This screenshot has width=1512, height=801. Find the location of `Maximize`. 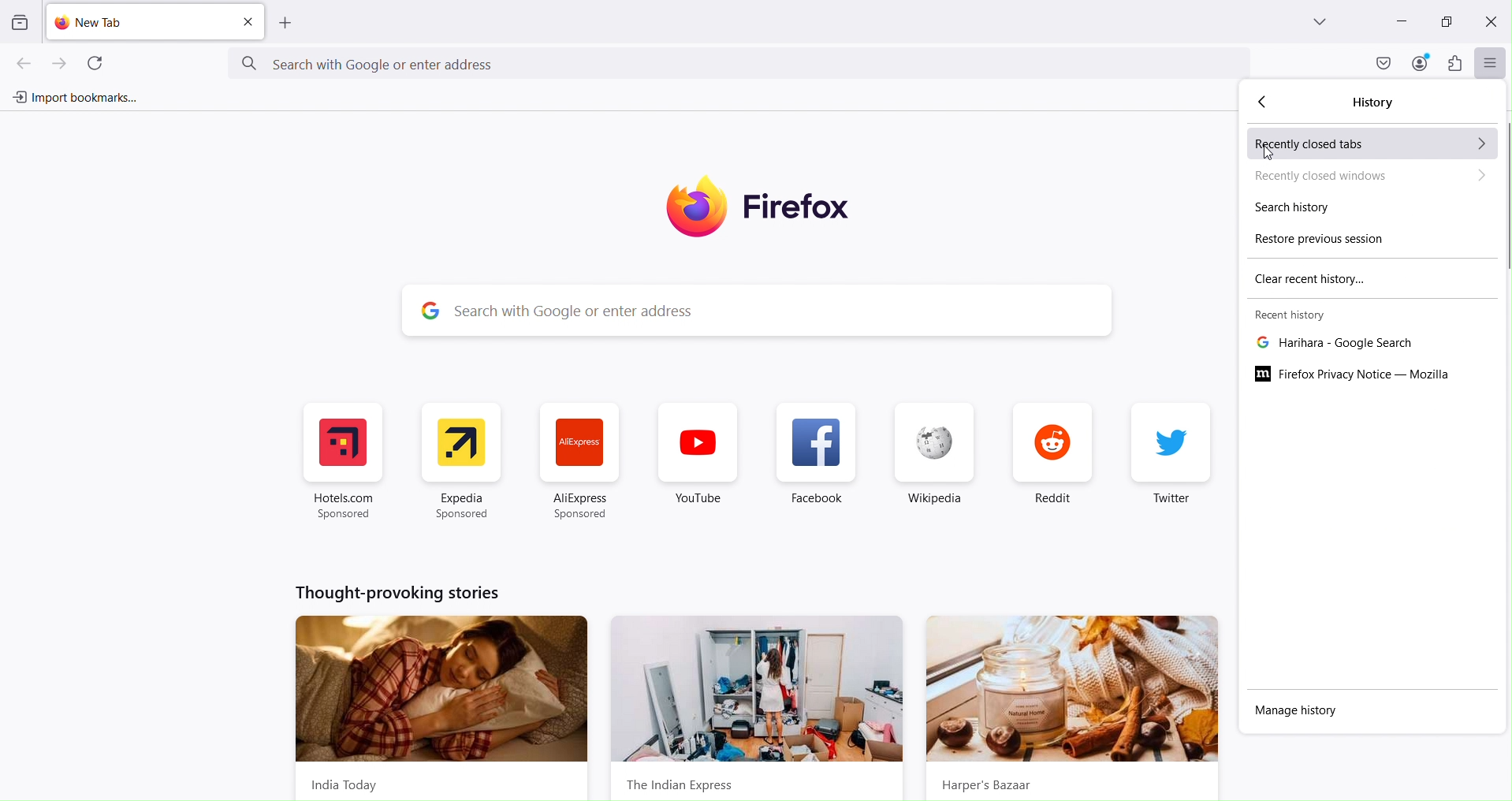

Maximize is located at coordinates (1446, 20).